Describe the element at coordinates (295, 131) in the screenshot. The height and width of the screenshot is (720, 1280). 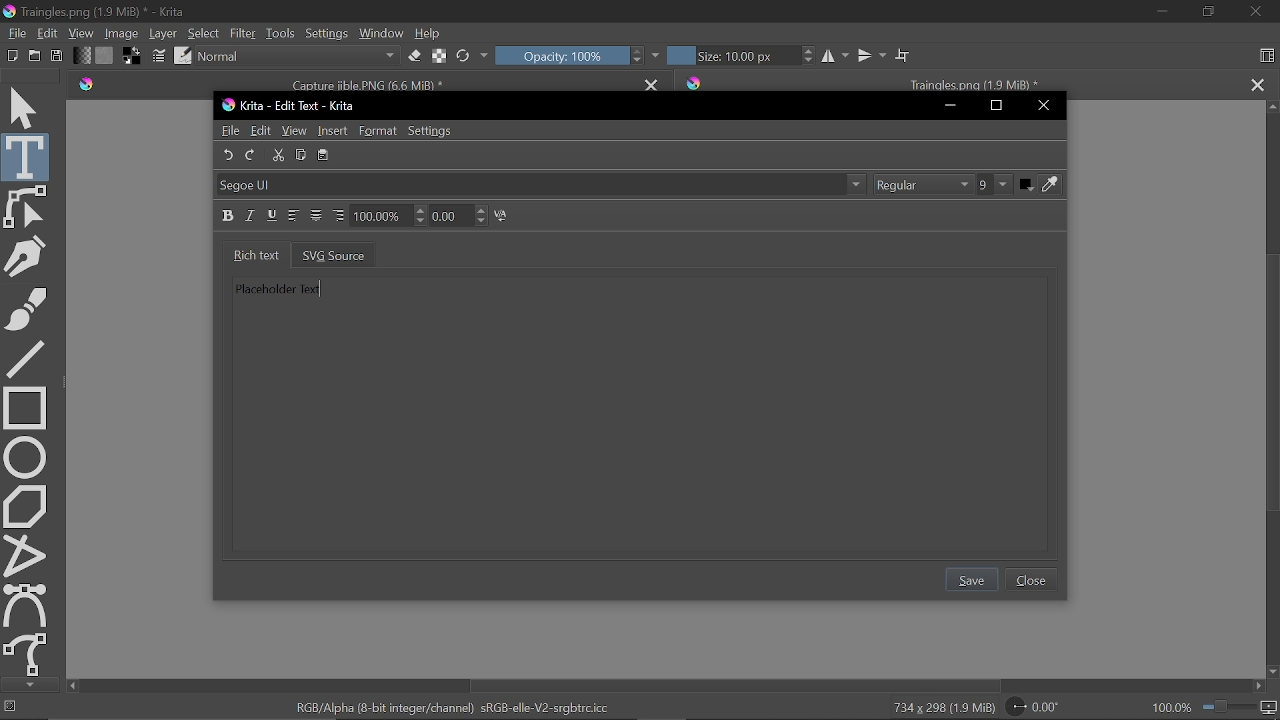
I see `View` at that location.